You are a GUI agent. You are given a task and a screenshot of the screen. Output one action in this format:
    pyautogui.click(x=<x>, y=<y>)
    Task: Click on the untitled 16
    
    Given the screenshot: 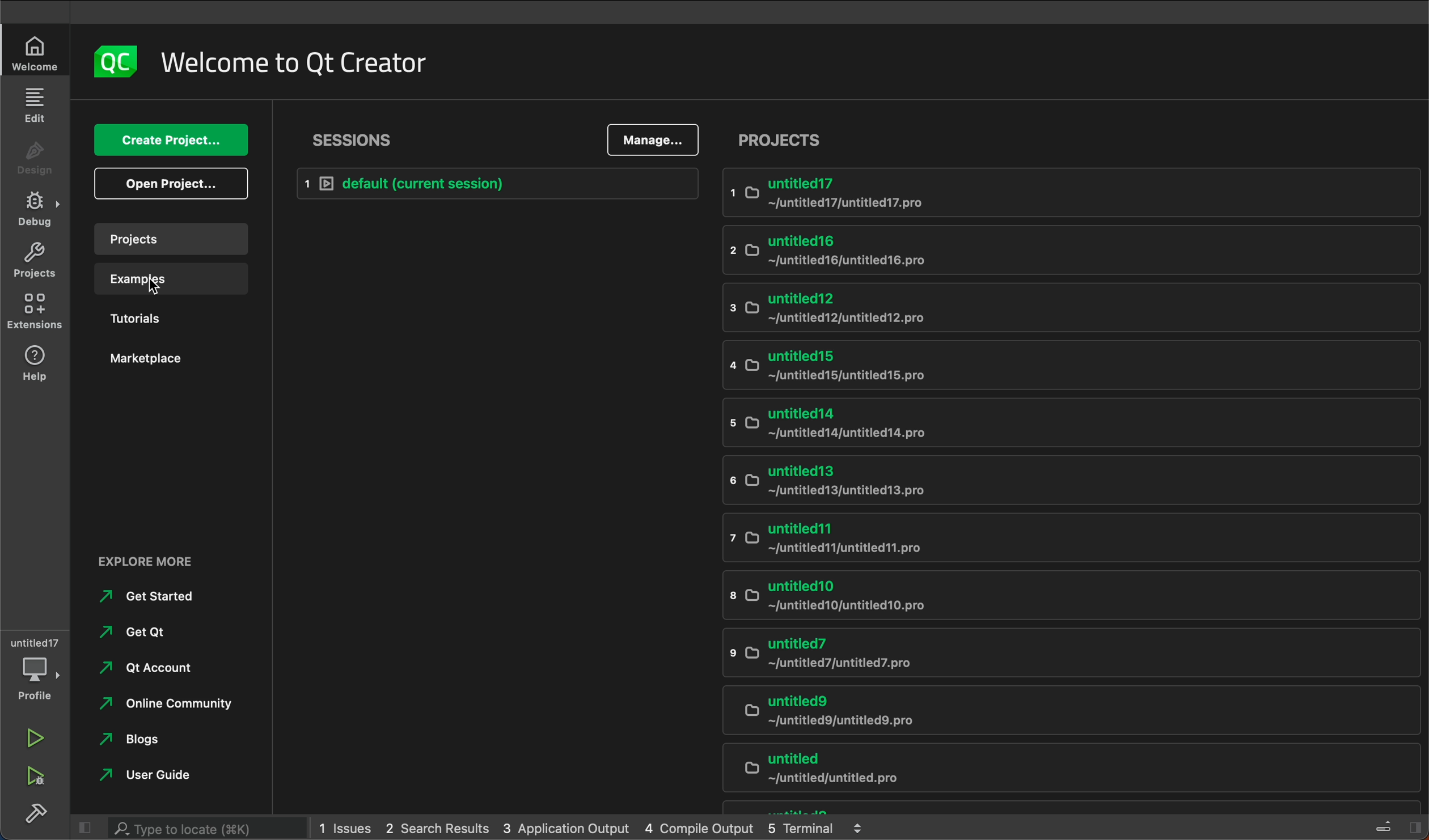 What is the action you would take?
    pyautogui.click(x=1057, y=250)
    